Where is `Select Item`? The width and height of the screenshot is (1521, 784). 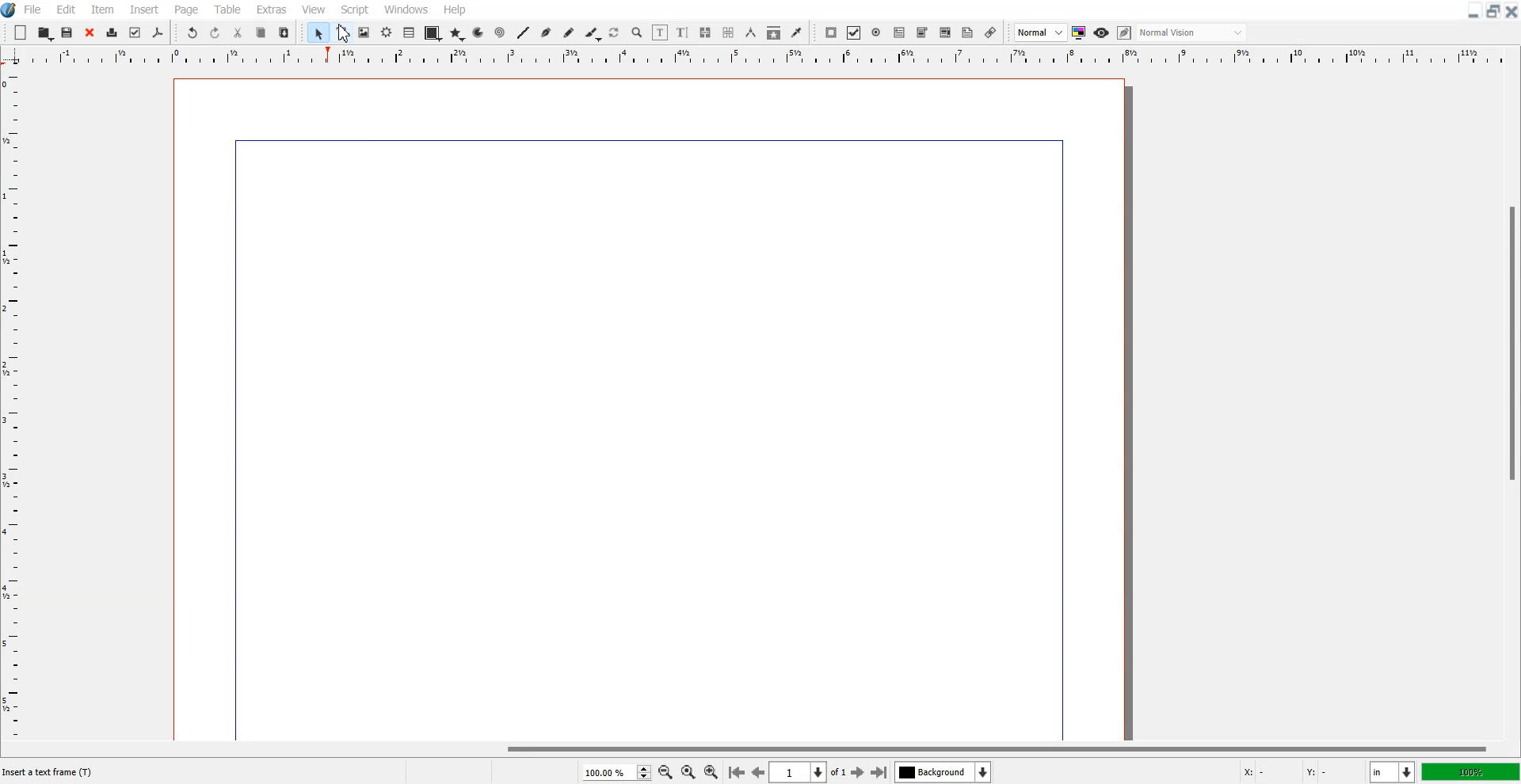 Select Item is located at coordinates (319, 32).